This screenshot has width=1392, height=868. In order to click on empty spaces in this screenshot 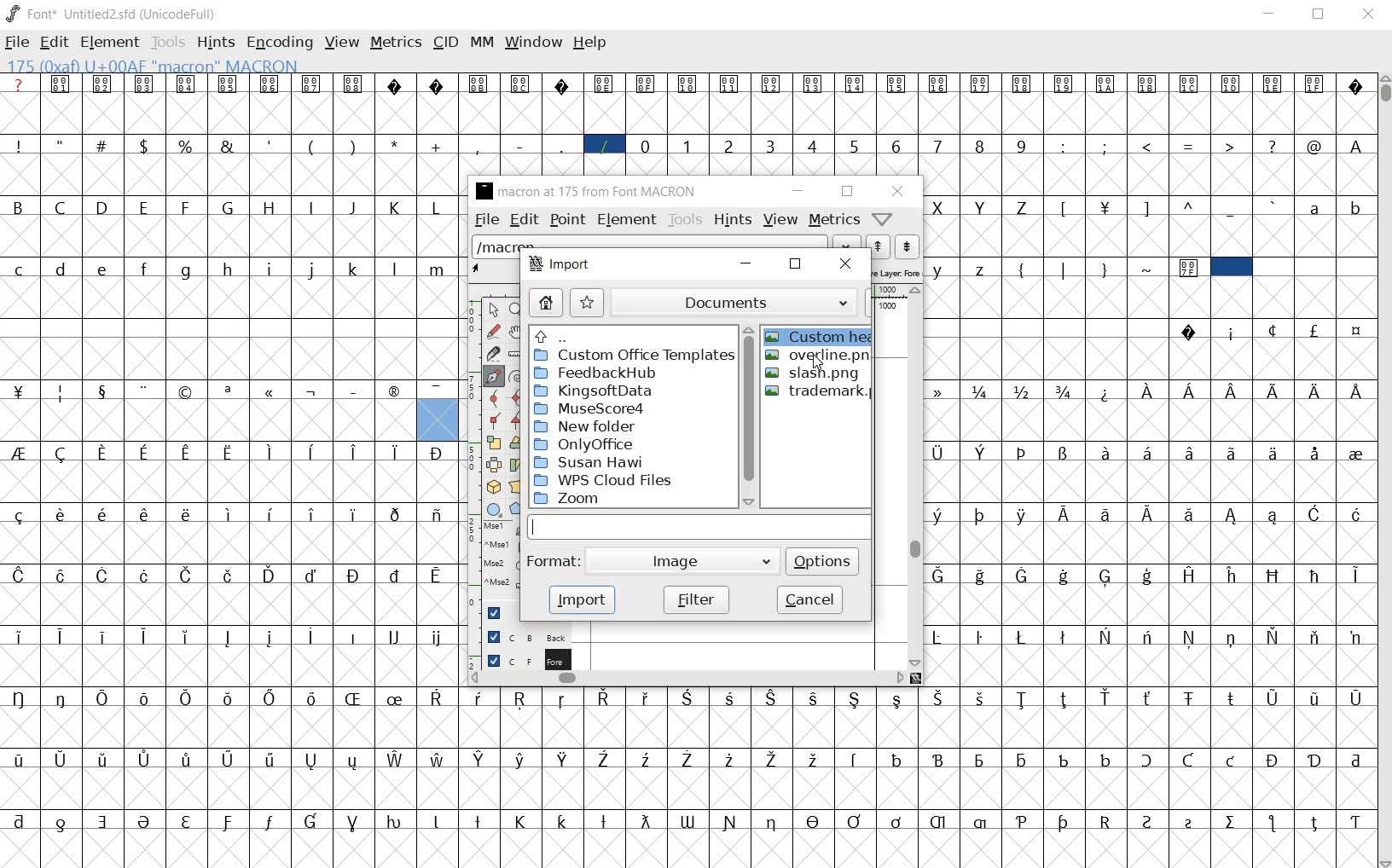, I will do `click(228, 329)`.